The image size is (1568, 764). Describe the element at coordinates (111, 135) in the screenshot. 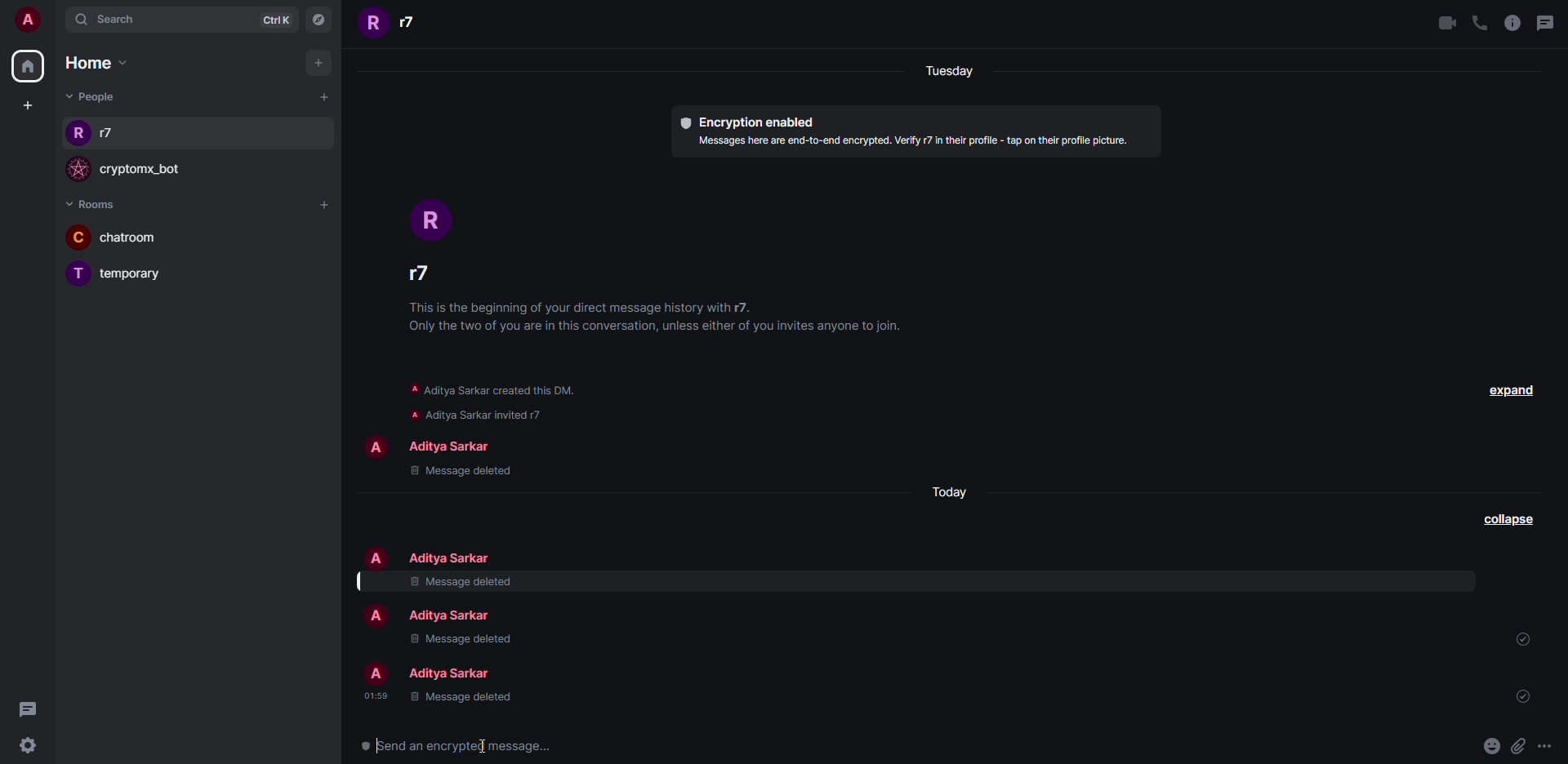

I see `people` at that location.